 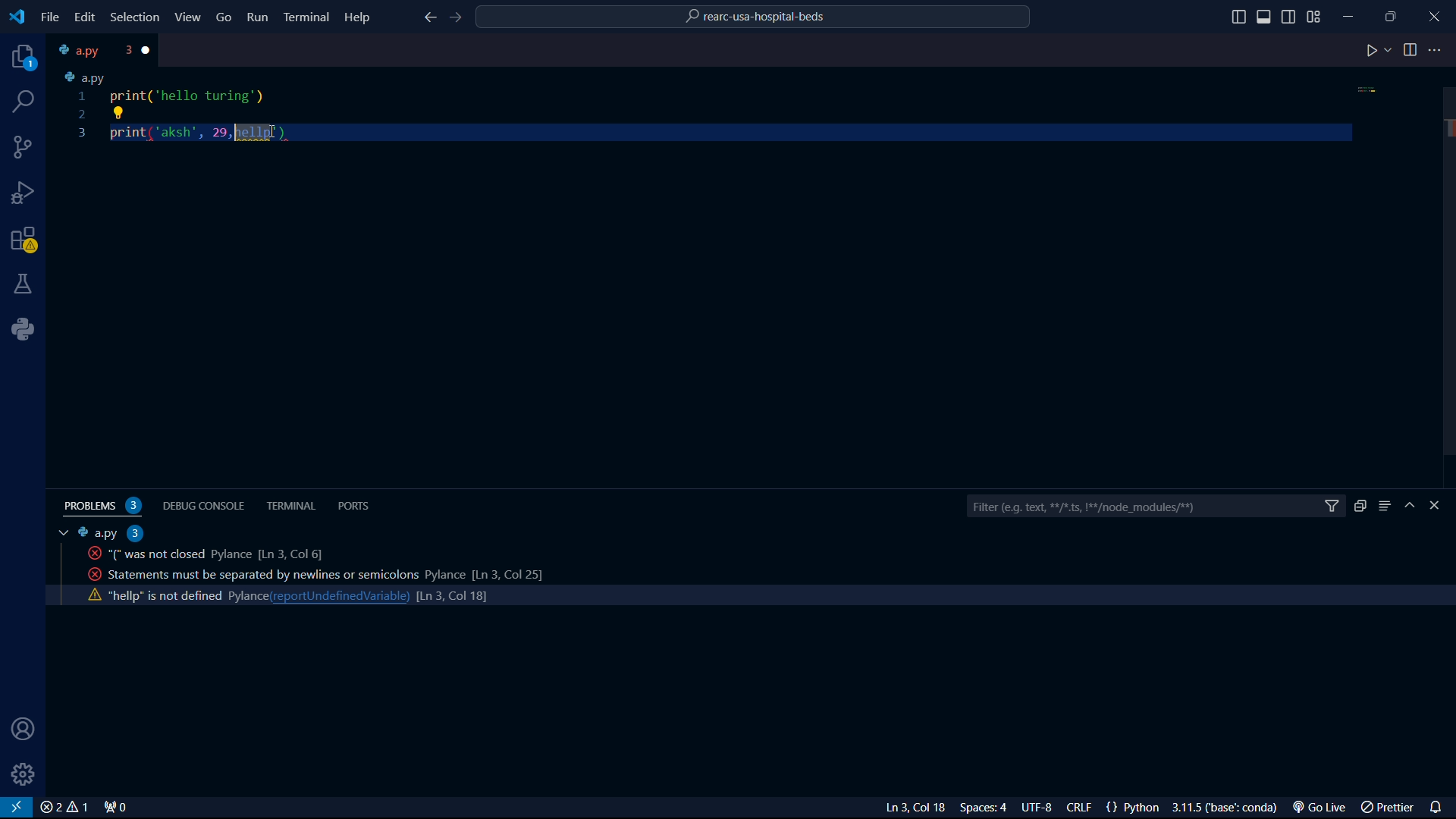 What do you see at coordinates (1393, 16) in the screenshot?
I see `maximize` at bounding box center [1393, 16].